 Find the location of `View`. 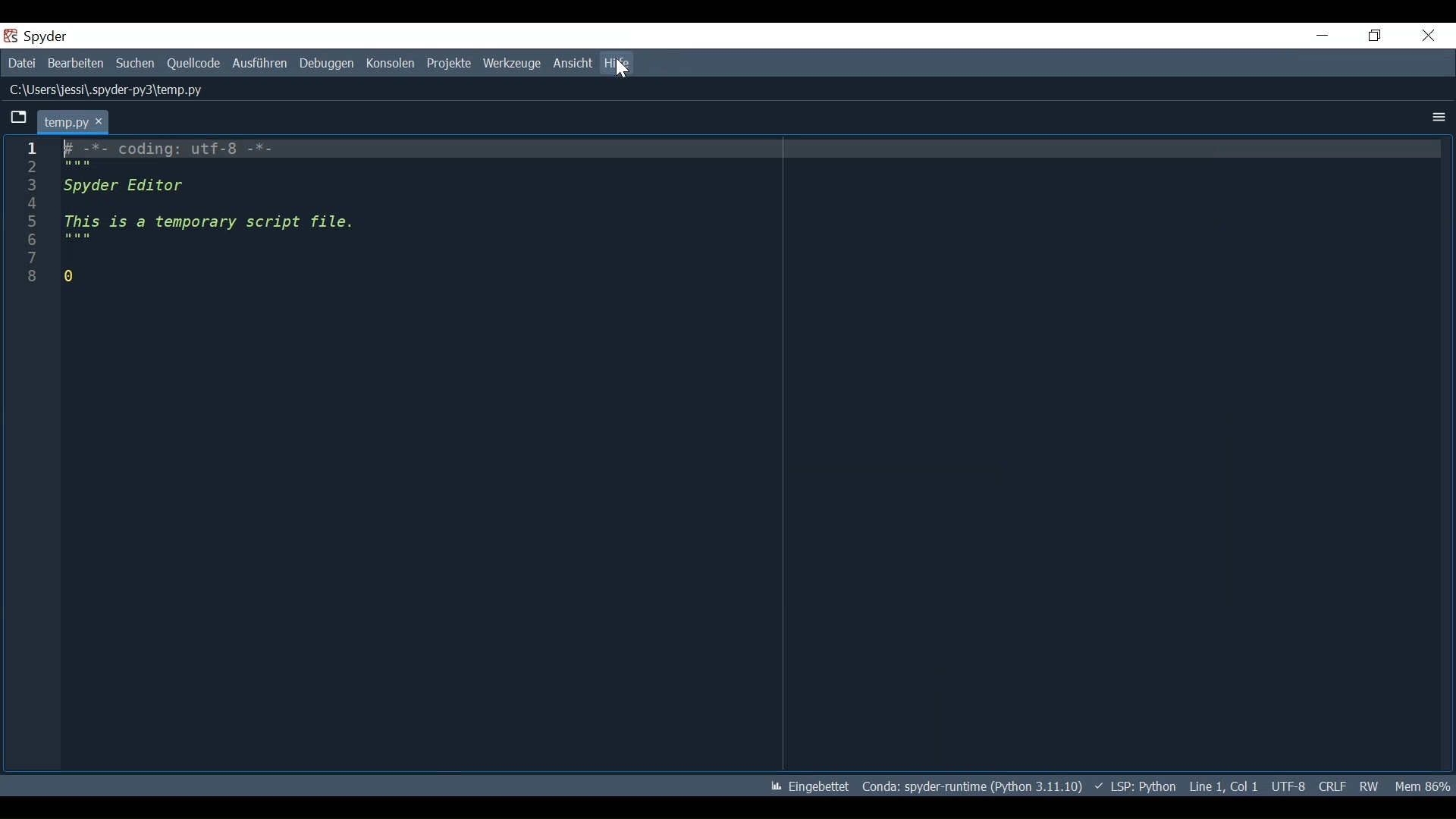

View is located at coordinates (571, 64).